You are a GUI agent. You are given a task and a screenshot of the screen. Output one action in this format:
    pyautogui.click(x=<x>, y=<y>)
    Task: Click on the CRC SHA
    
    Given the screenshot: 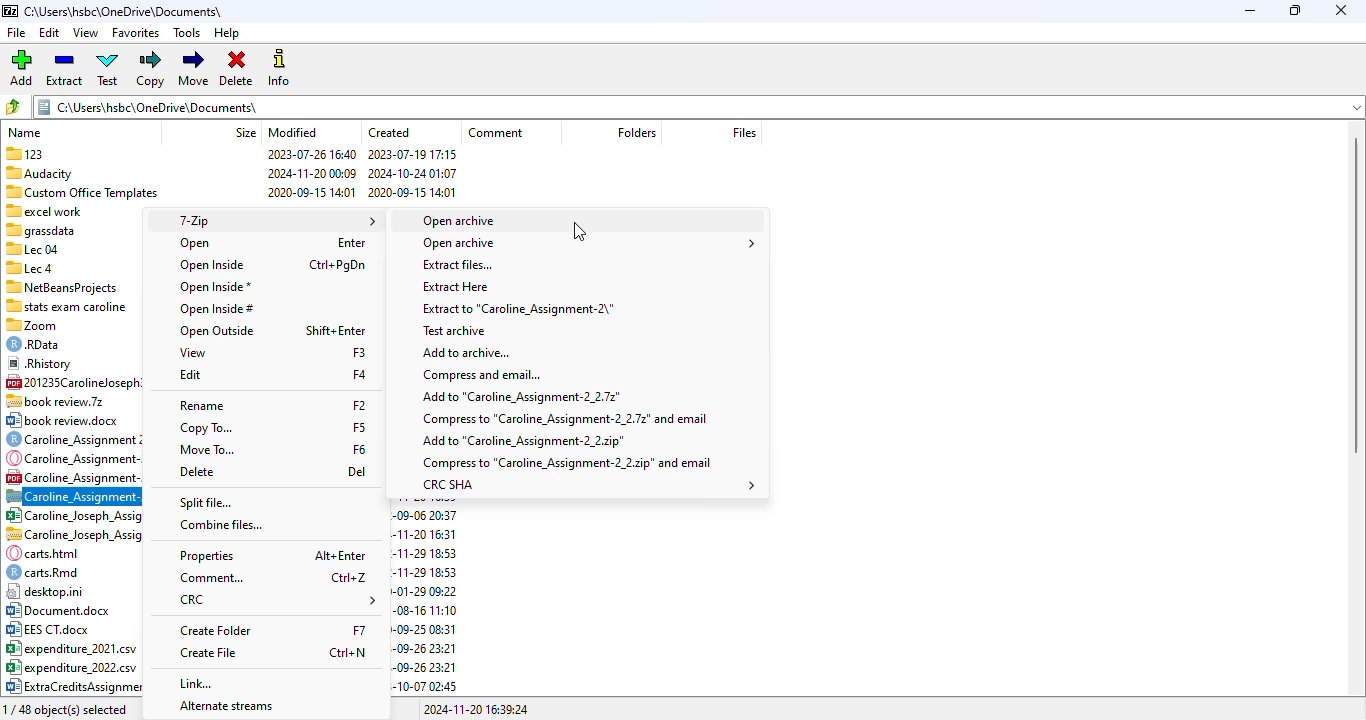 What is the action you would take?
    pyautogui.click(x=590, y=485)
    